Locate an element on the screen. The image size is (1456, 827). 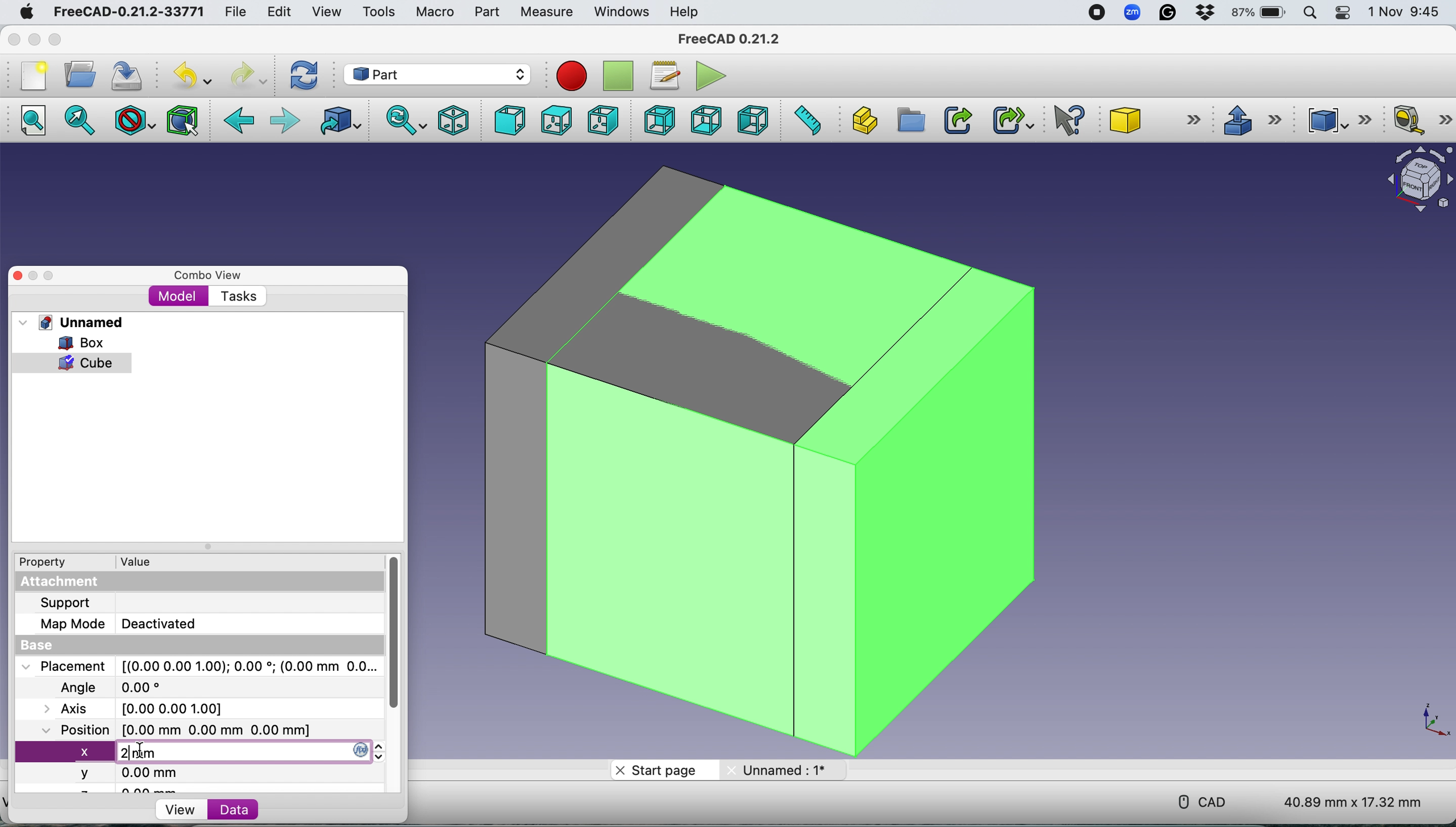
Property is located at coordinates (37, 562).